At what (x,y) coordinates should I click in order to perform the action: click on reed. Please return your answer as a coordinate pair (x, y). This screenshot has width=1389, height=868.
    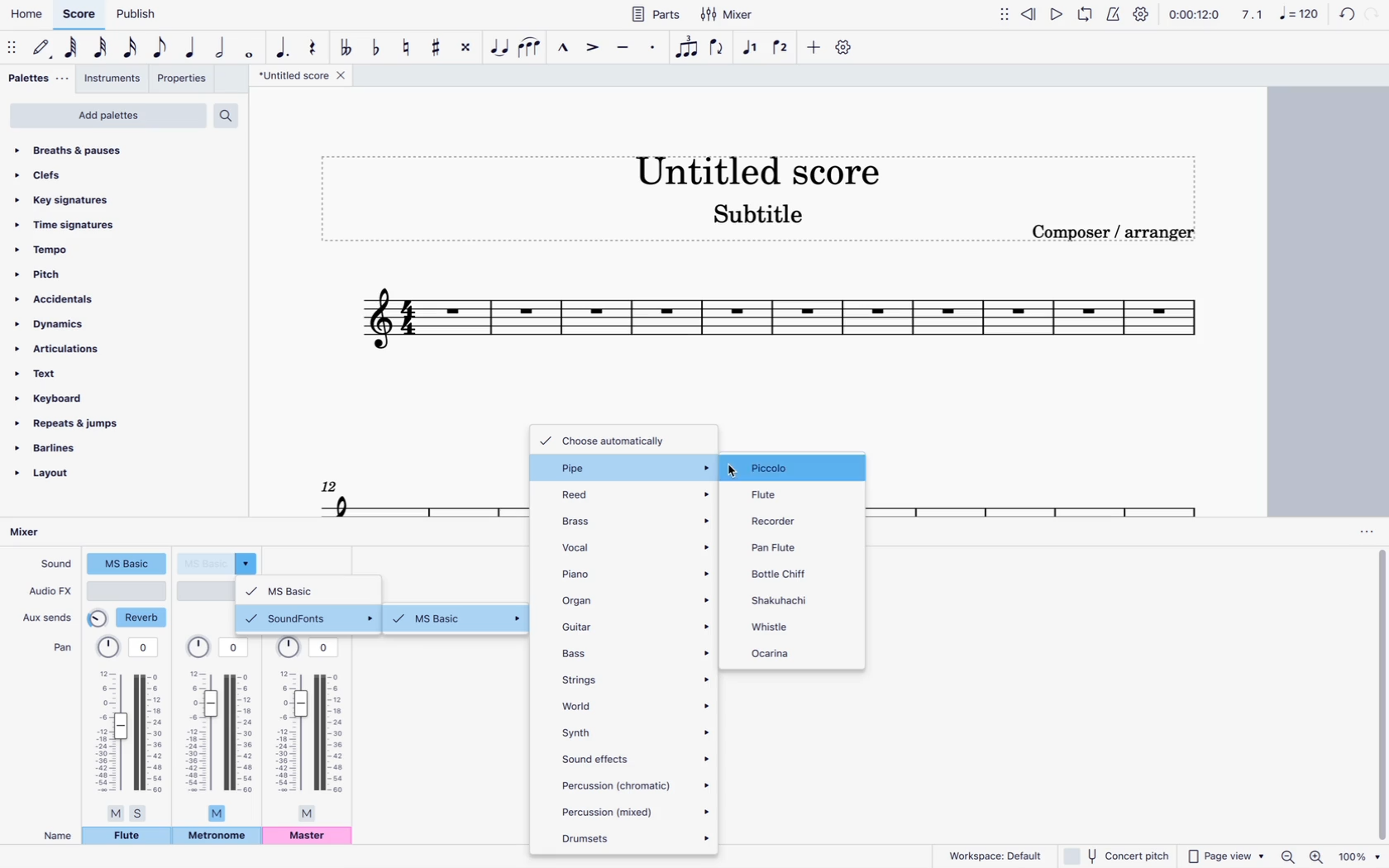
    Looking at the image, I should click on (634, 494).